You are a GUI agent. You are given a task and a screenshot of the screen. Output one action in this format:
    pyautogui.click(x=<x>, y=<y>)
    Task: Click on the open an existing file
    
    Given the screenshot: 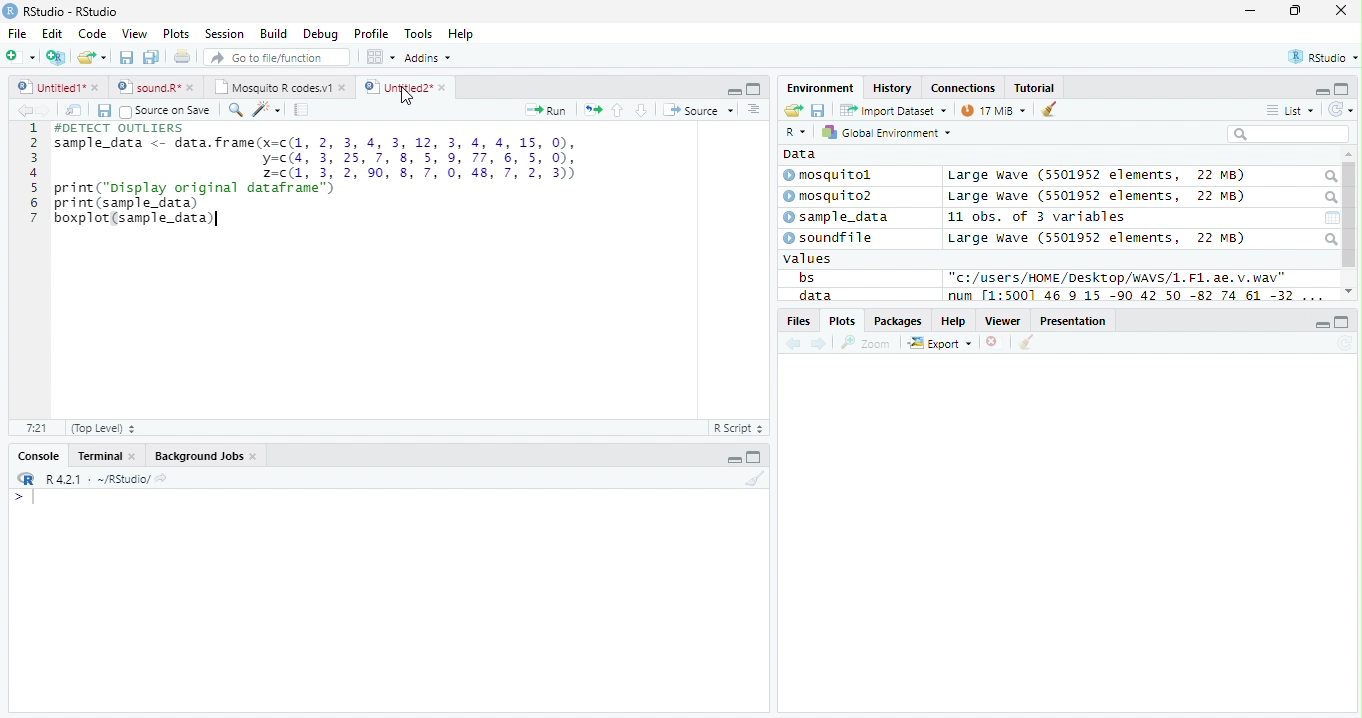 What is the action you would take?
    pyautogui.click(x=92, y=57)
    